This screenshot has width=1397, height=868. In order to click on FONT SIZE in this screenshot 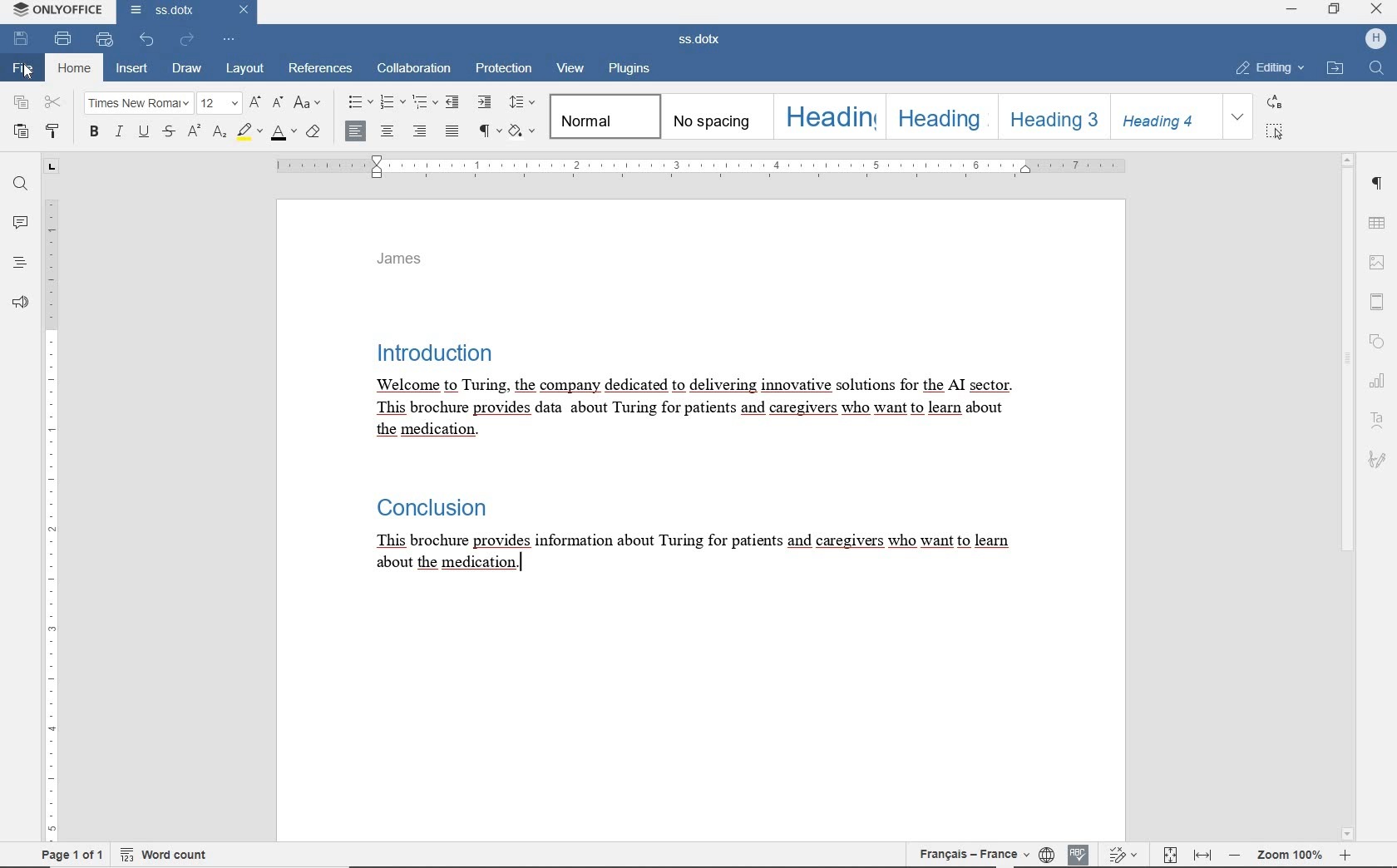, I will do `click(220, 104)`.